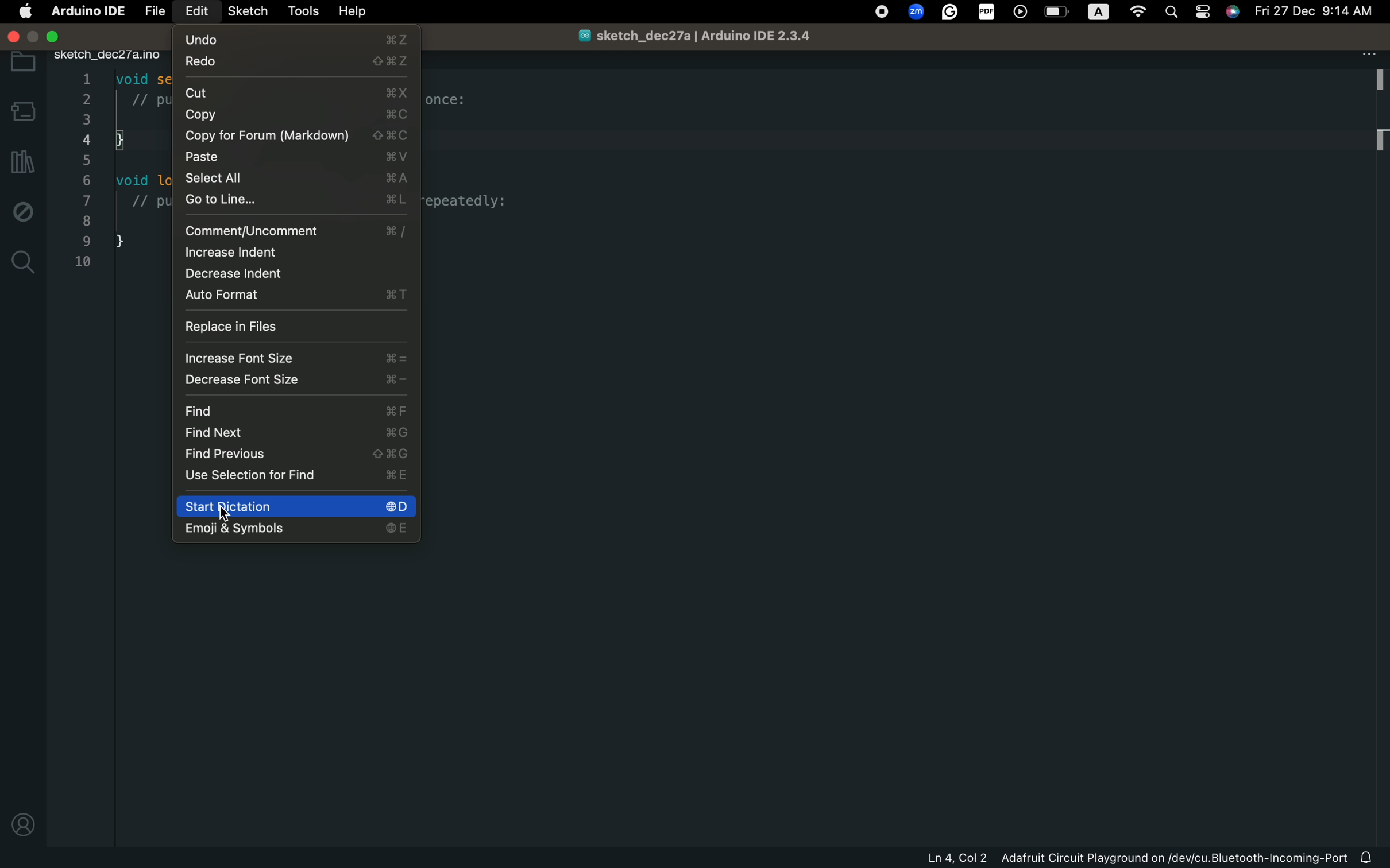 The height and width of the screenshot is (868, 1390). What do you see at coordinates (1054, 11) in the screenshot?
I see `OS control` at bounding box center [1054, 11].